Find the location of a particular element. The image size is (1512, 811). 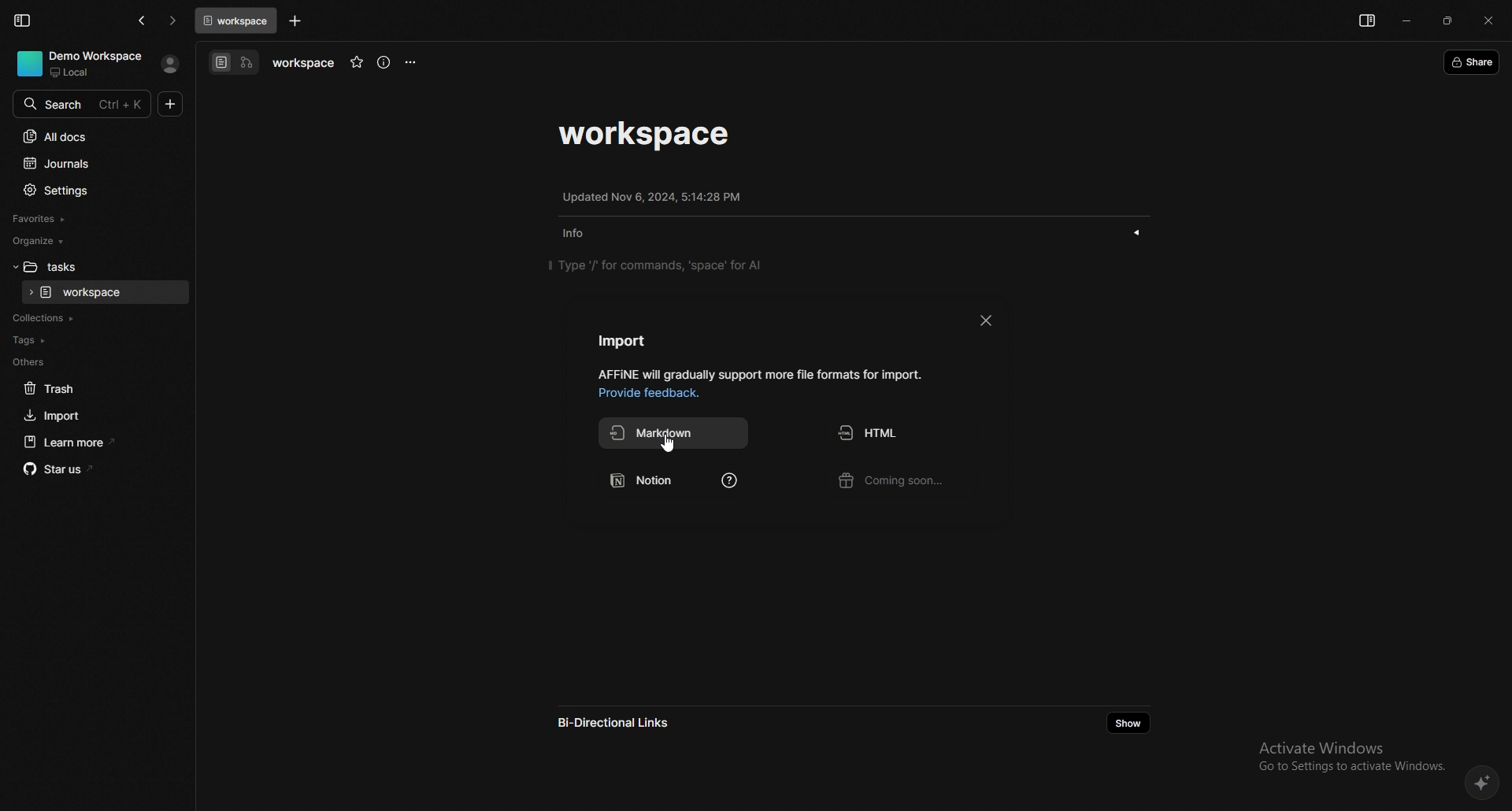

add task is located at coordinates (295, 21).